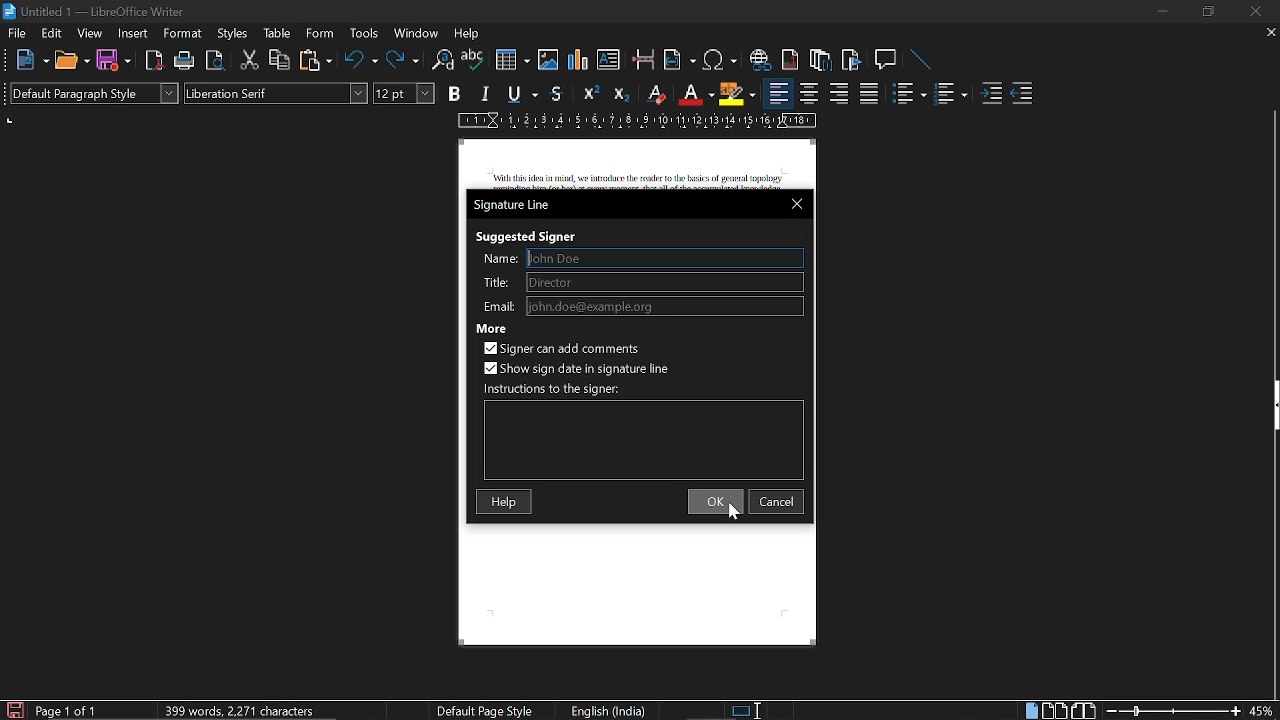  What do you see at coordinates (611, 59) in the screenshot?
I see `insert text` at bounding box center [611, 59].